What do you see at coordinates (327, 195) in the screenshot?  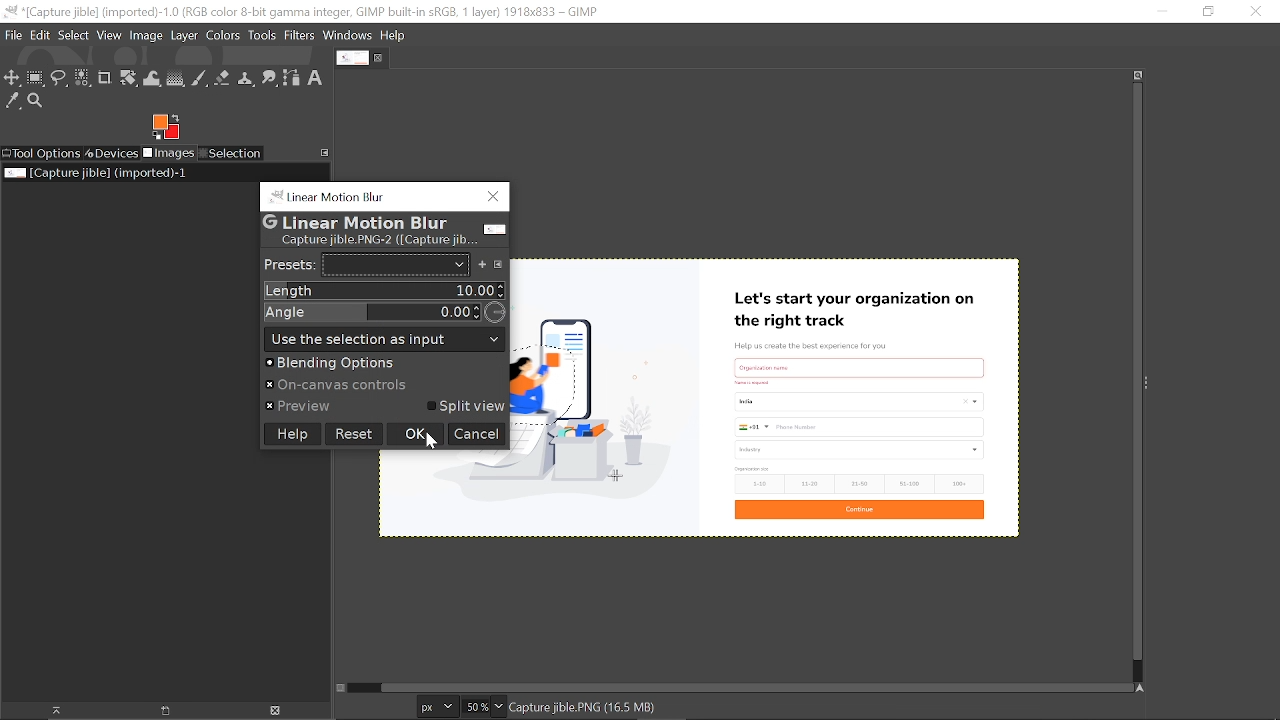 I see `“linear Motion Blur` at bounding box center [327, 195].